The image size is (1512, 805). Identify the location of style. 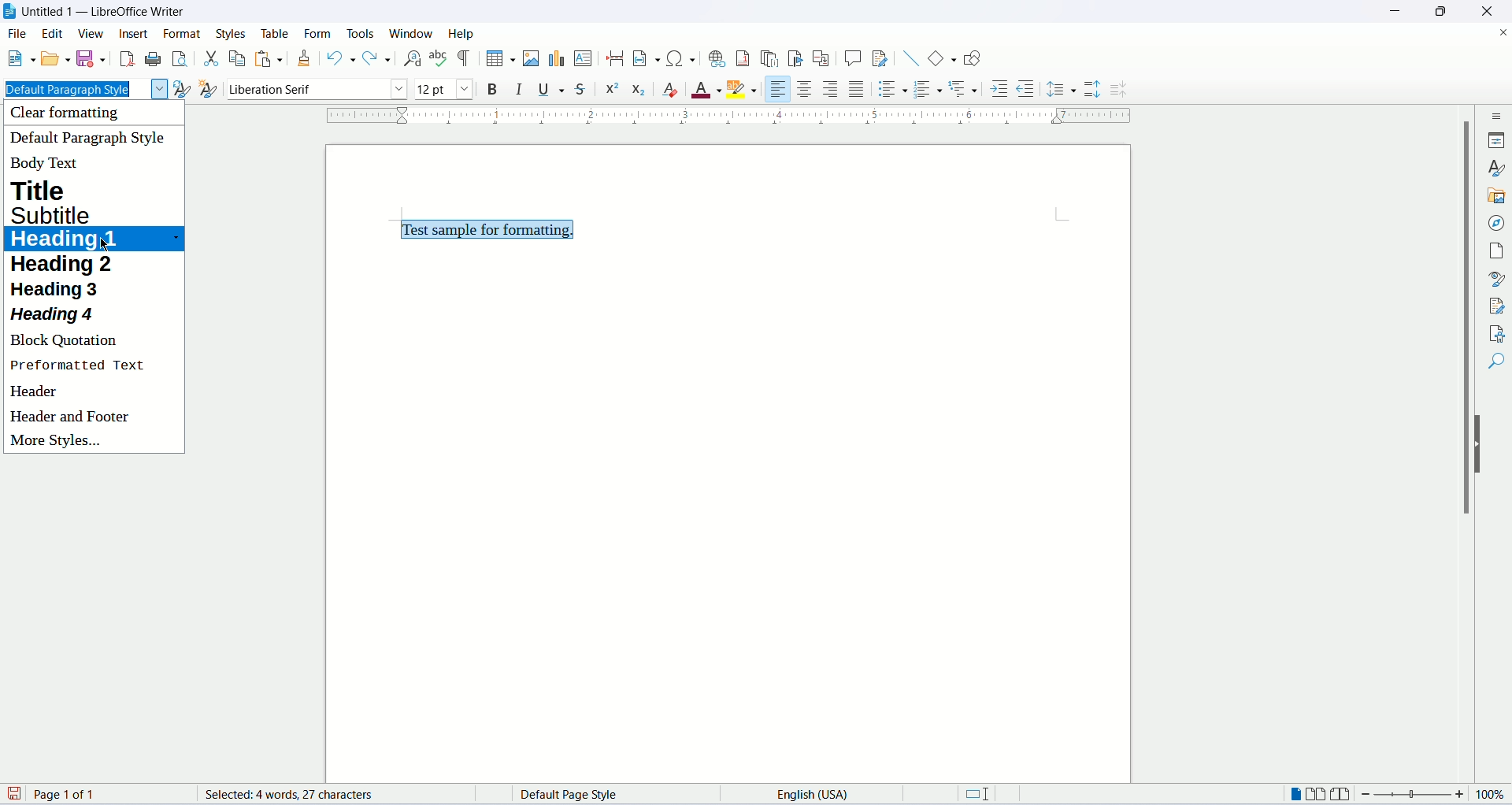
(1496, 169).